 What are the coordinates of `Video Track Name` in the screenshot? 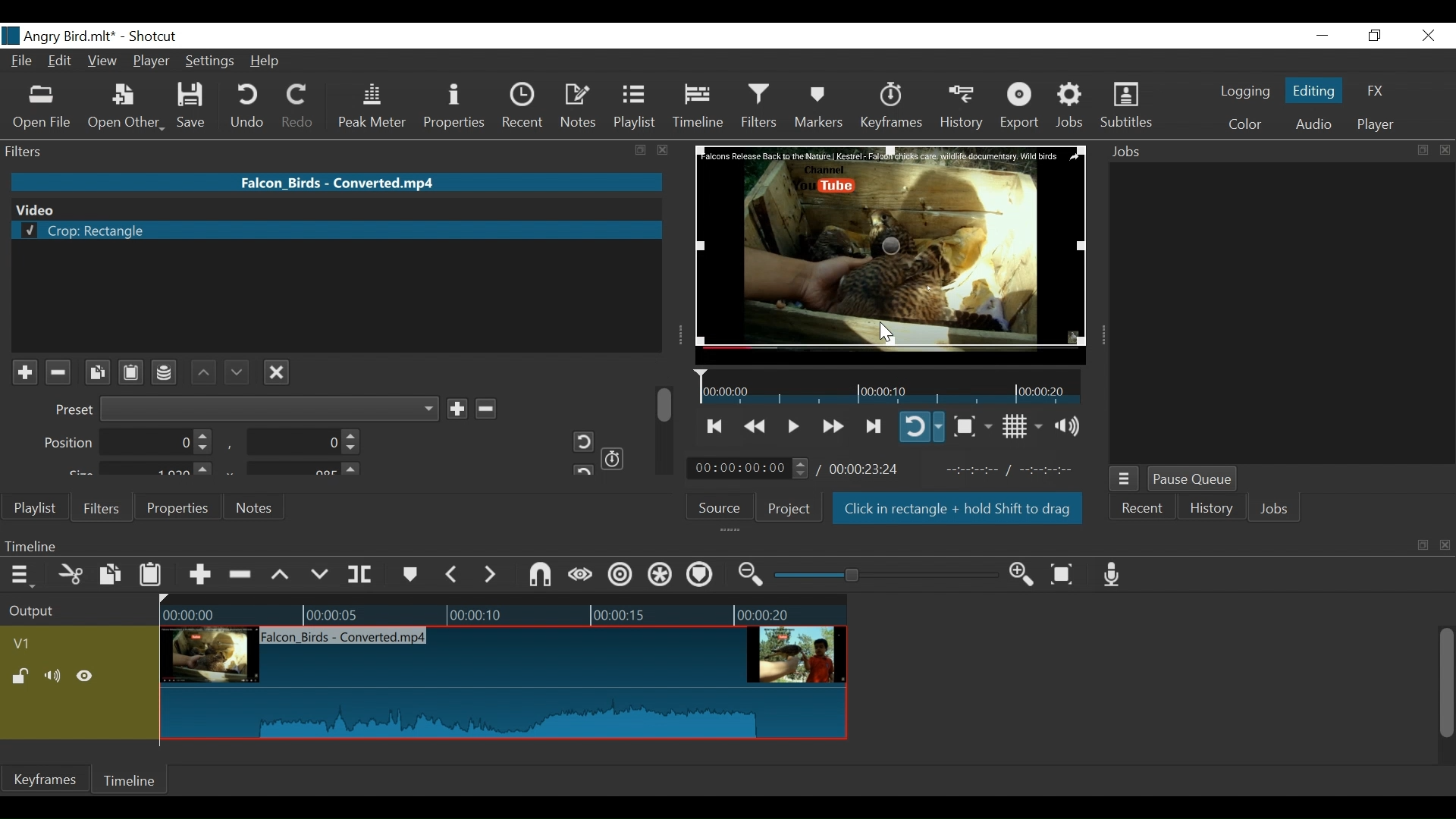 It's located at (66, 645).